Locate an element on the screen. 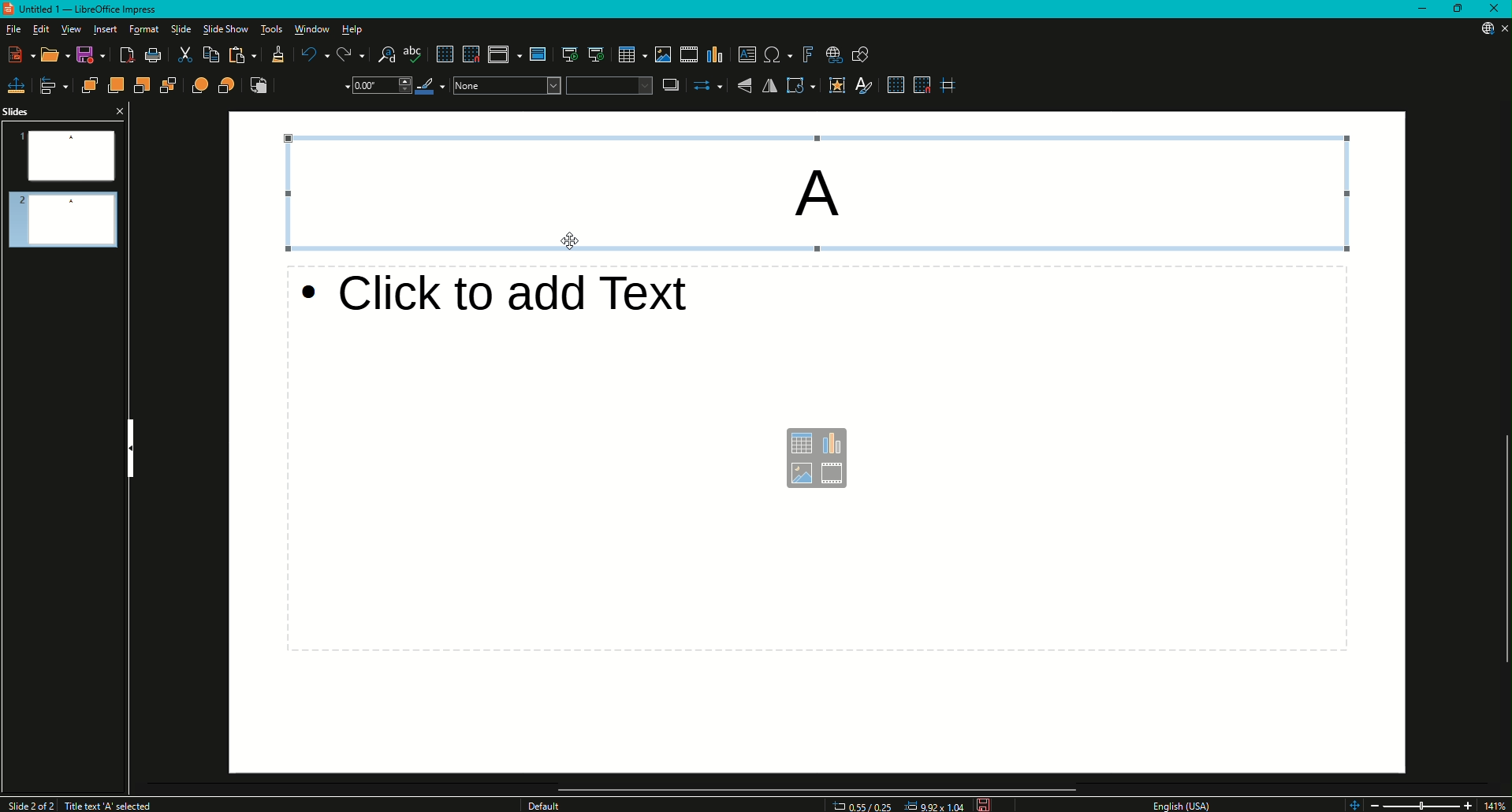 Image resolution: width=1512 pixels, height=812 pixels. Zoom controls is located at coordinates (1351, 802).